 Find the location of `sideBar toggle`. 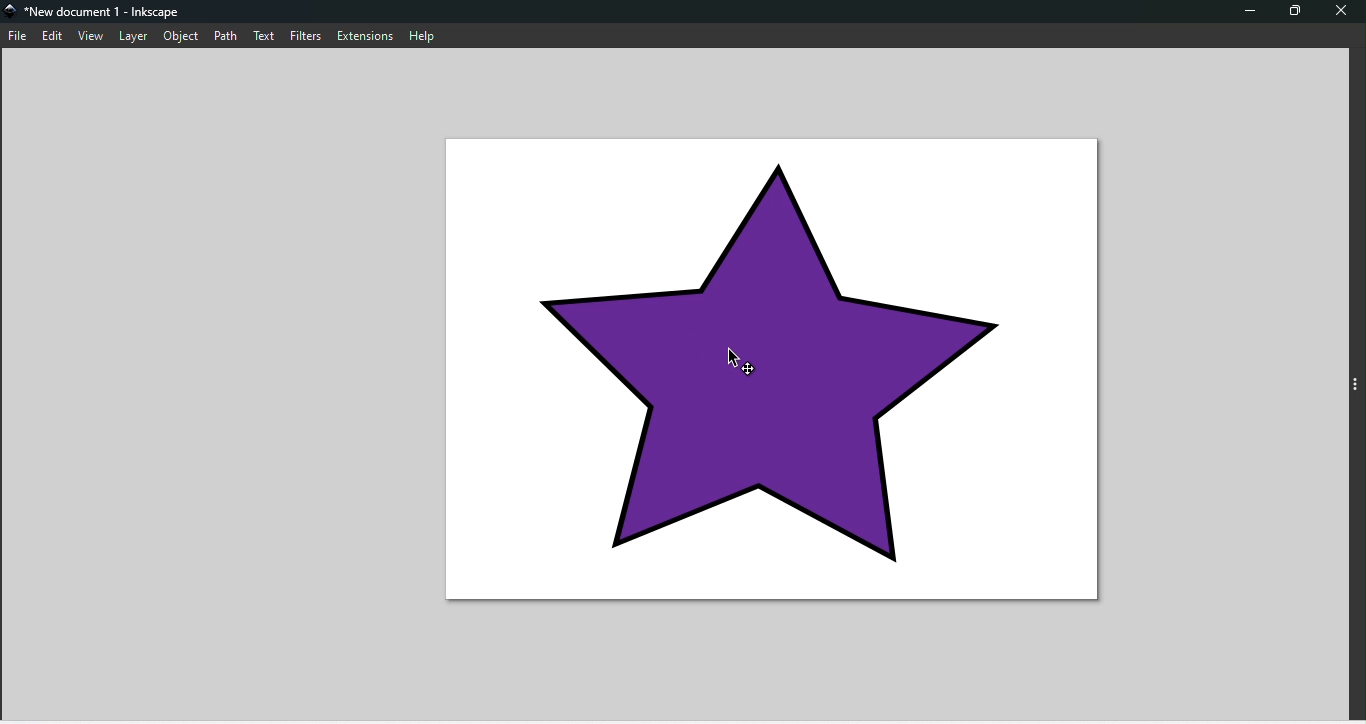

sideBar toggle is located at coordinates (1355, 386).